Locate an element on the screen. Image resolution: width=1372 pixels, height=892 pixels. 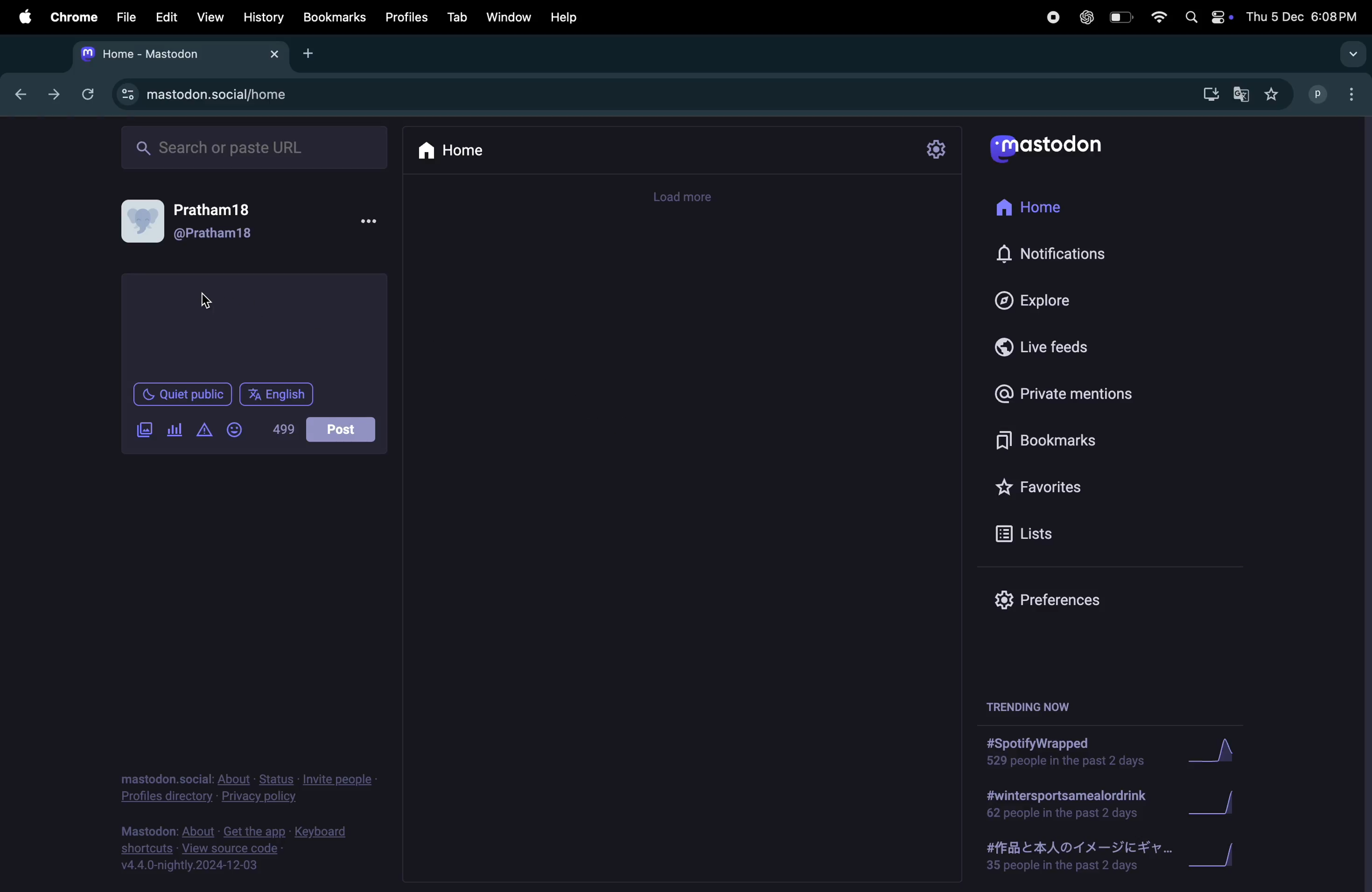
english is located at coordinates (278, 394).